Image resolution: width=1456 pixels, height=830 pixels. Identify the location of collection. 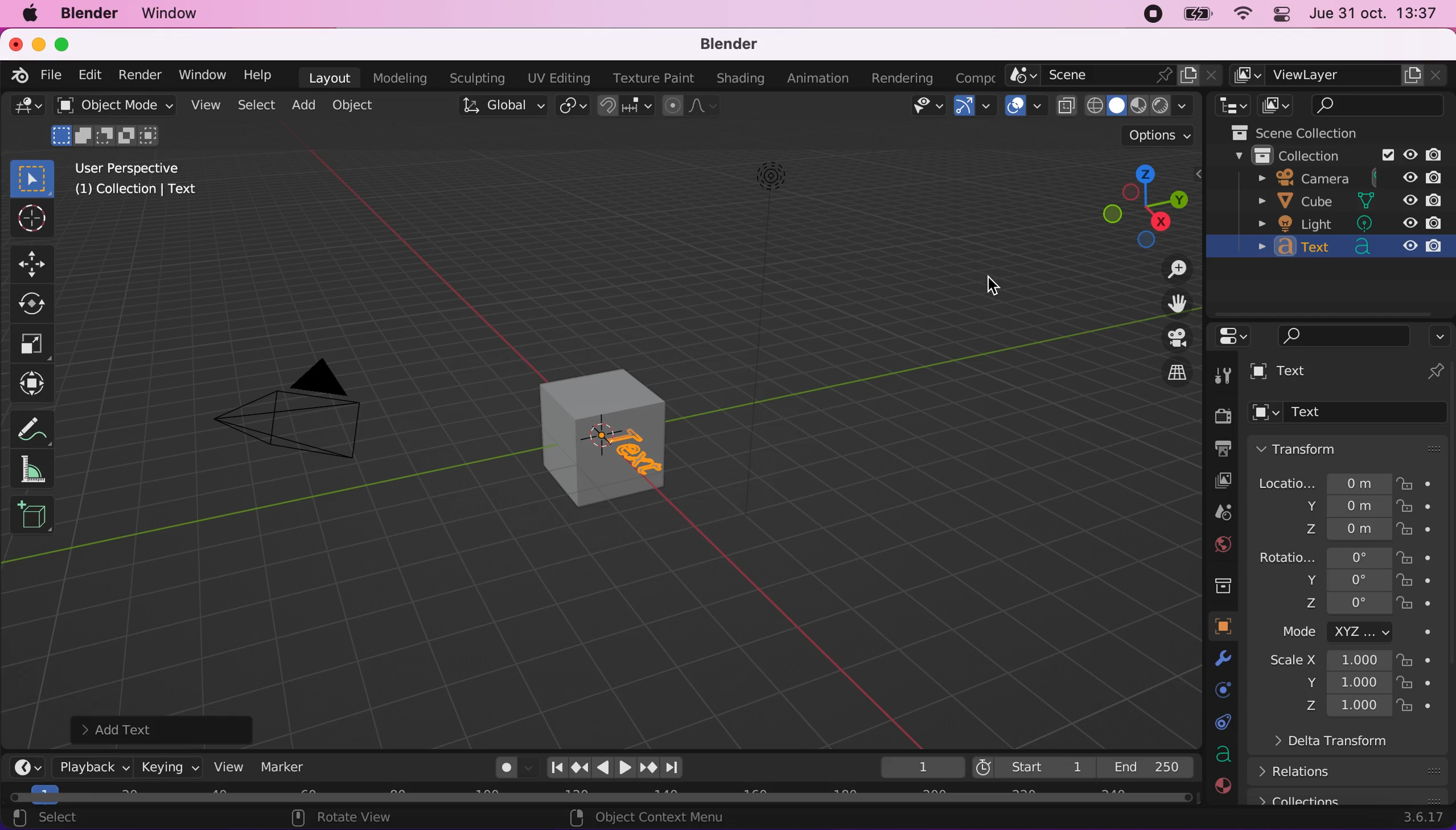
(1340, 153).